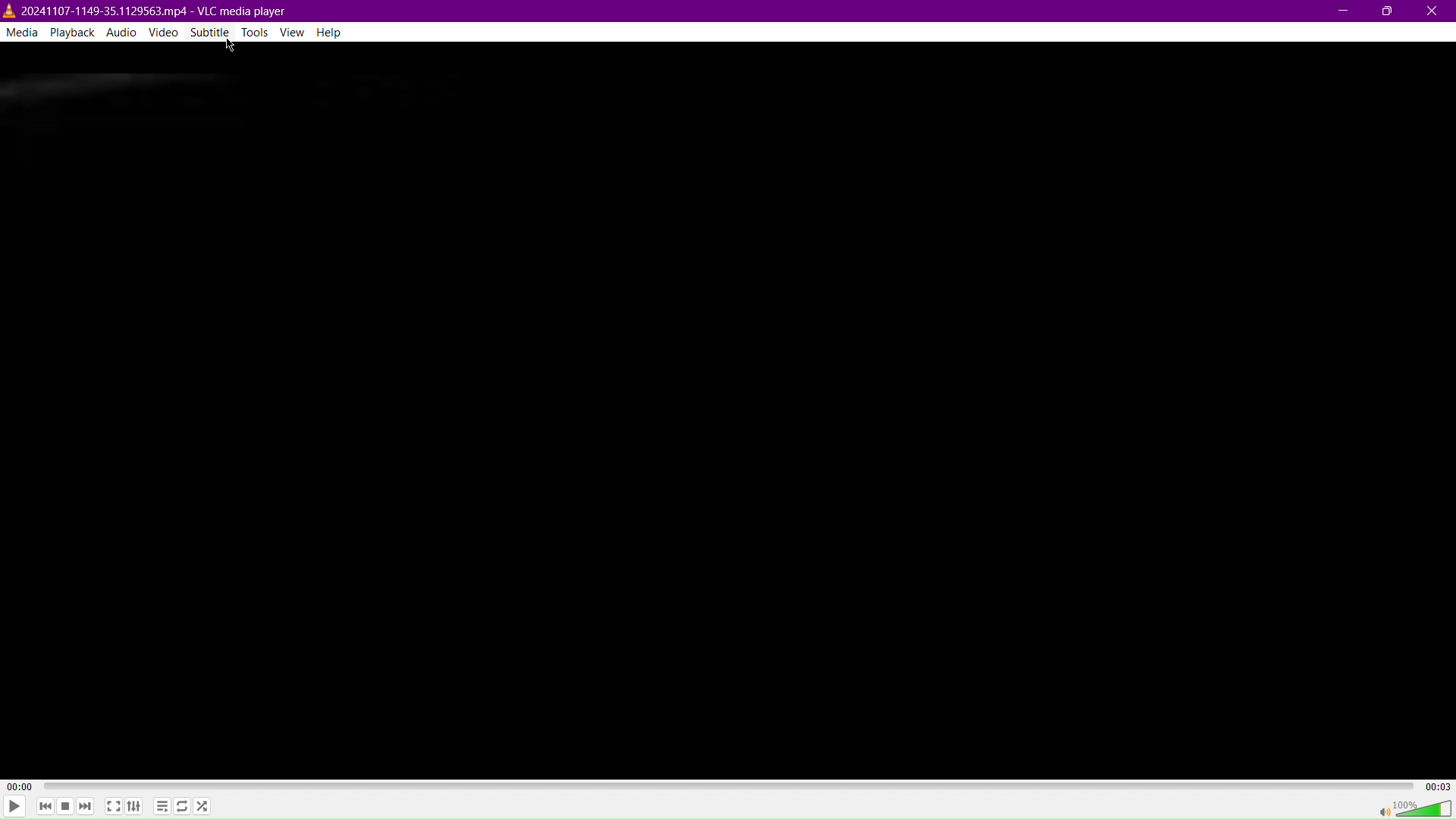  I want to click on 2024107-1149-35.1129563.mp4 - VLC media player, so click(146, 9).